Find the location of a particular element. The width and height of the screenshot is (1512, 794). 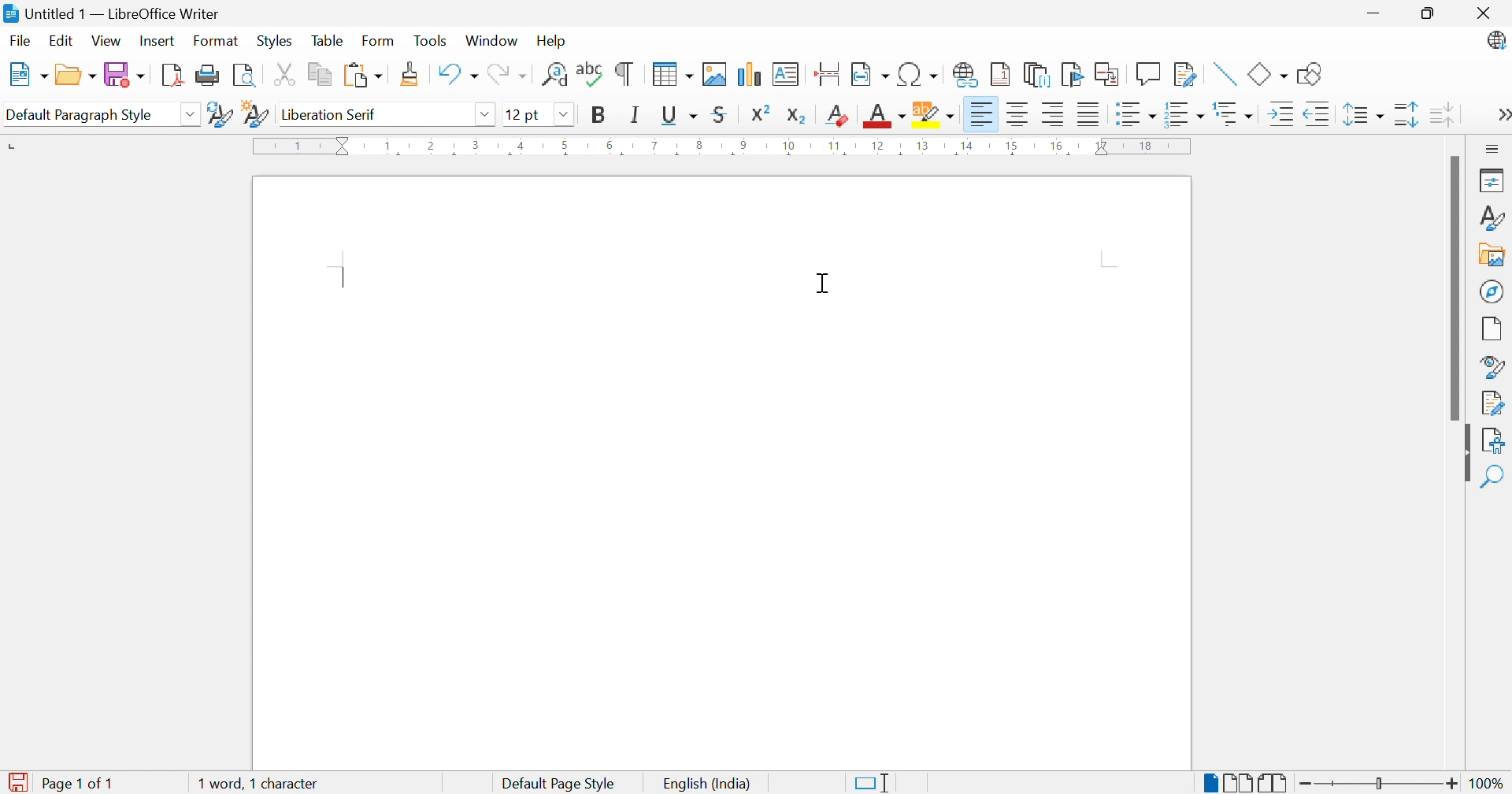

Set Line Spacing is located at coordinates (1363, 116).